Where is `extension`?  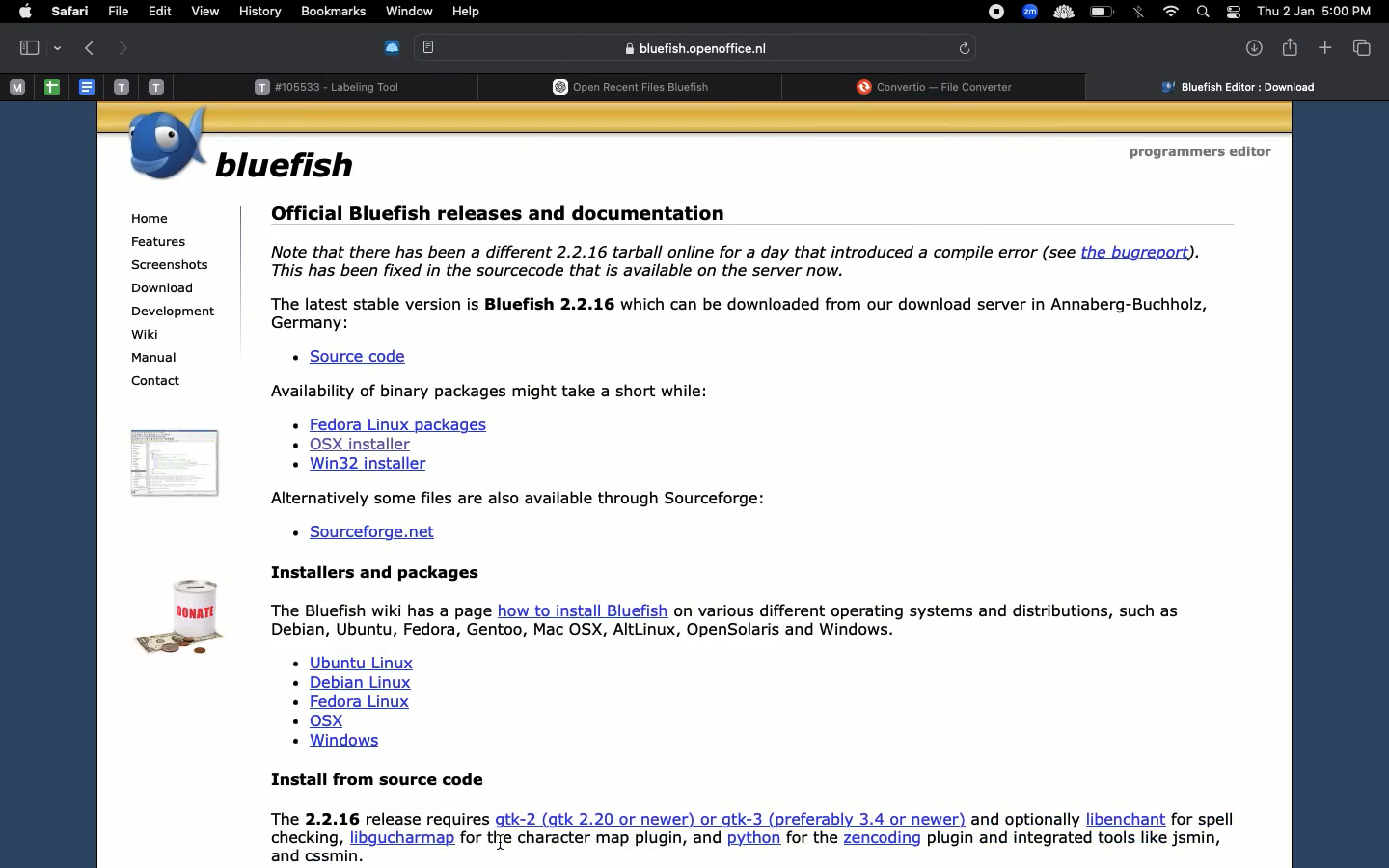 extension is located at coordinates (395, 48).